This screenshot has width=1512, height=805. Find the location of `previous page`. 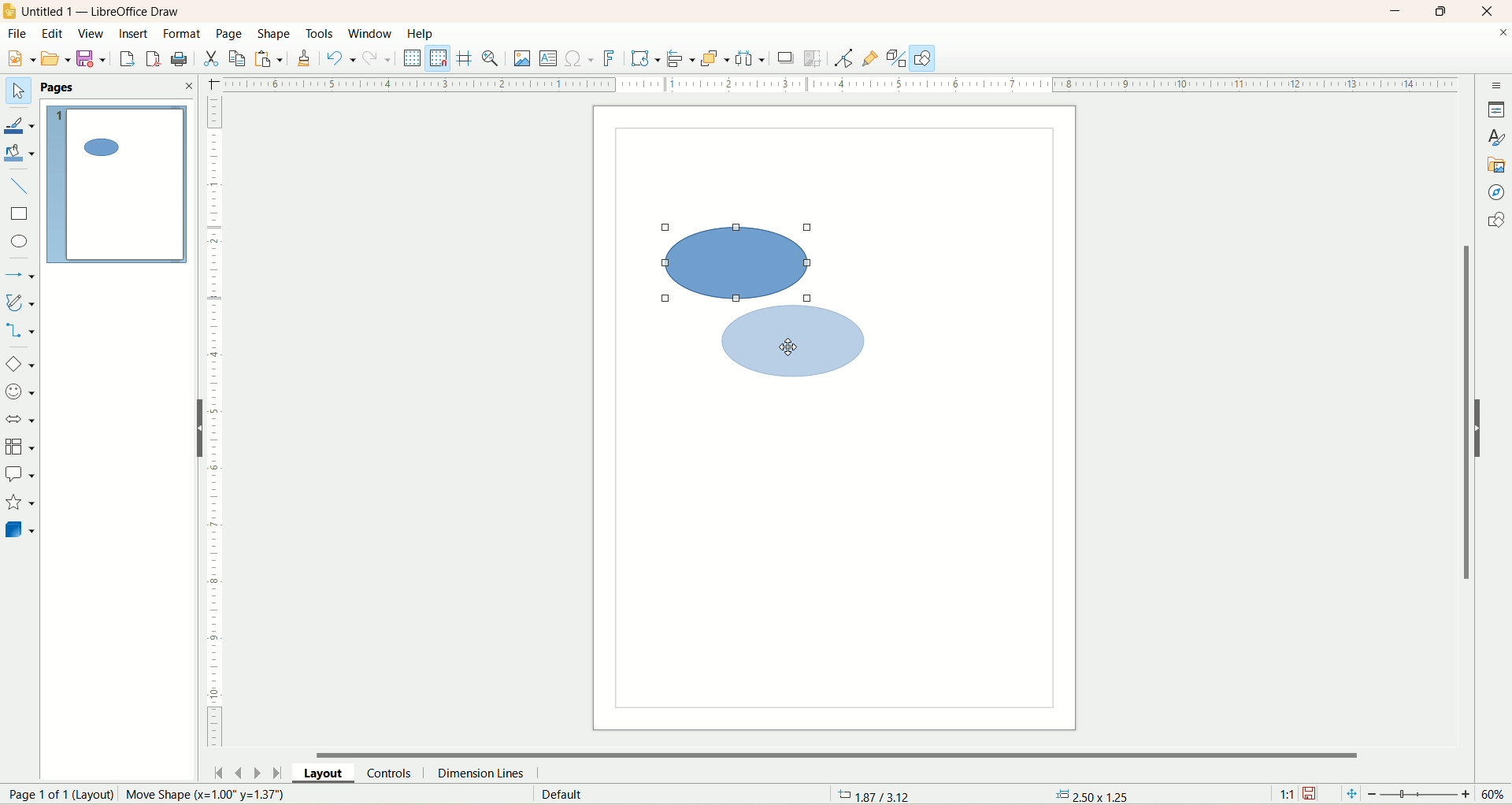

previous page is located at coordinates (239, 772).